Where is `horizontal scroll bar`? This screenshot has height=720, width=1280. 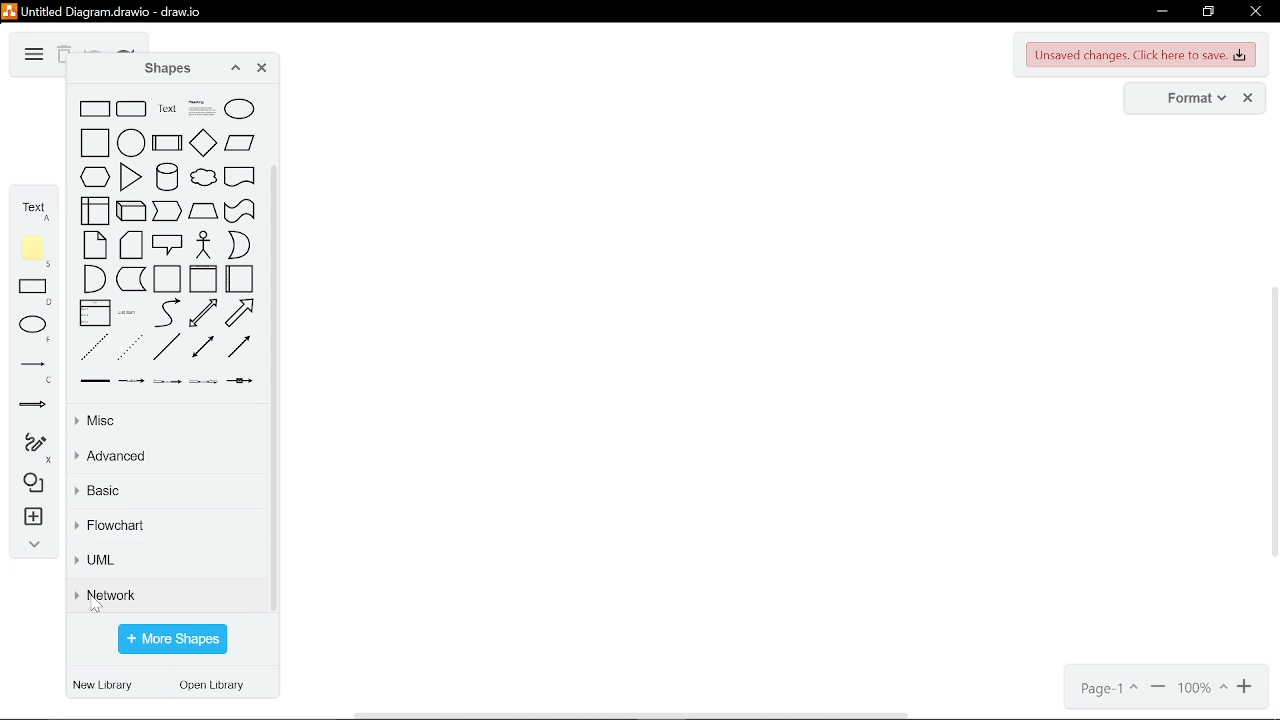
horizontal scroll bar is located at coordinates (634, 714).